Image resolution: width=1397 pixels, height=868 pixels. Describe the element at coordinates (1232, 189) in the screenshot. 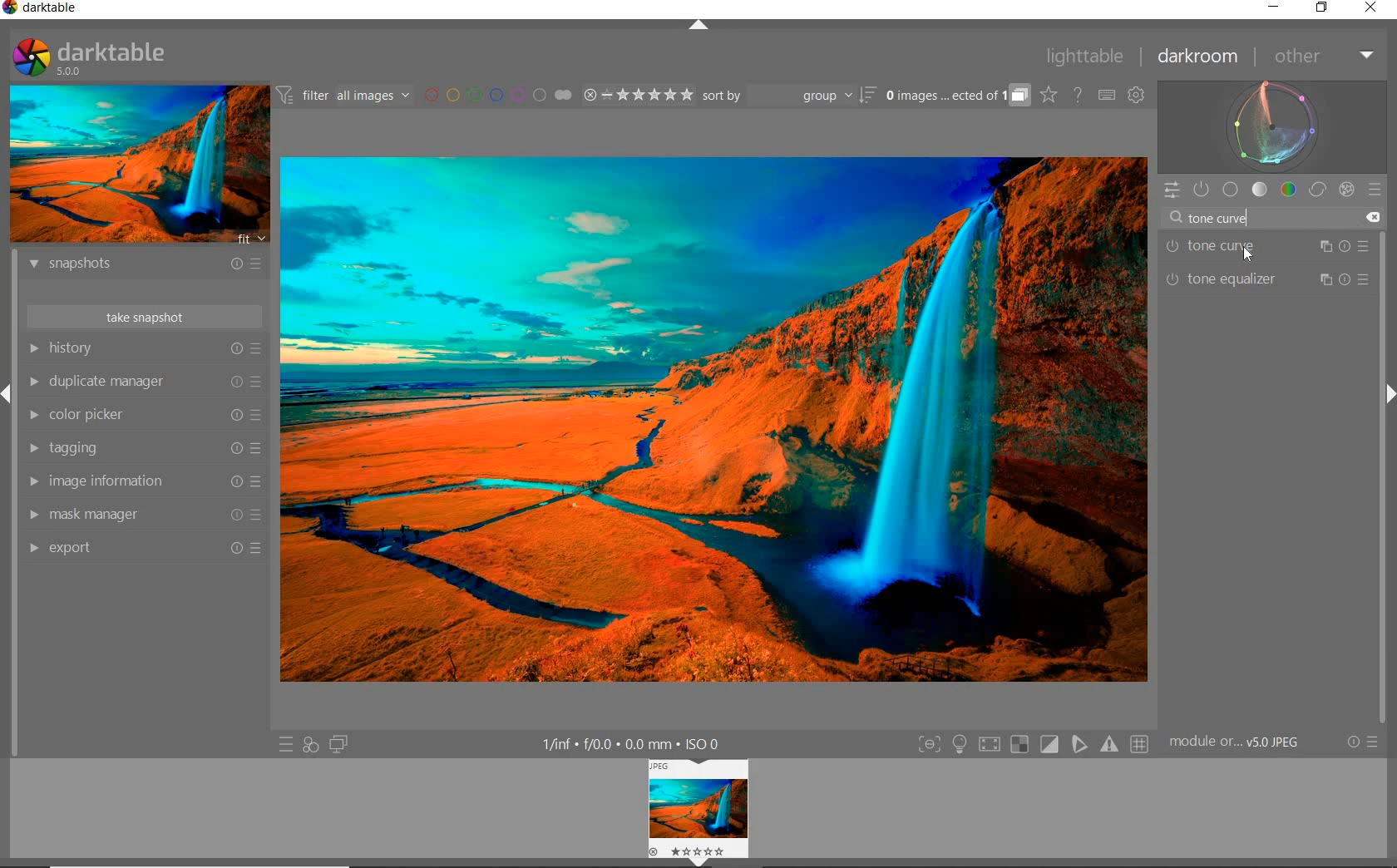

I see `base` at that location.